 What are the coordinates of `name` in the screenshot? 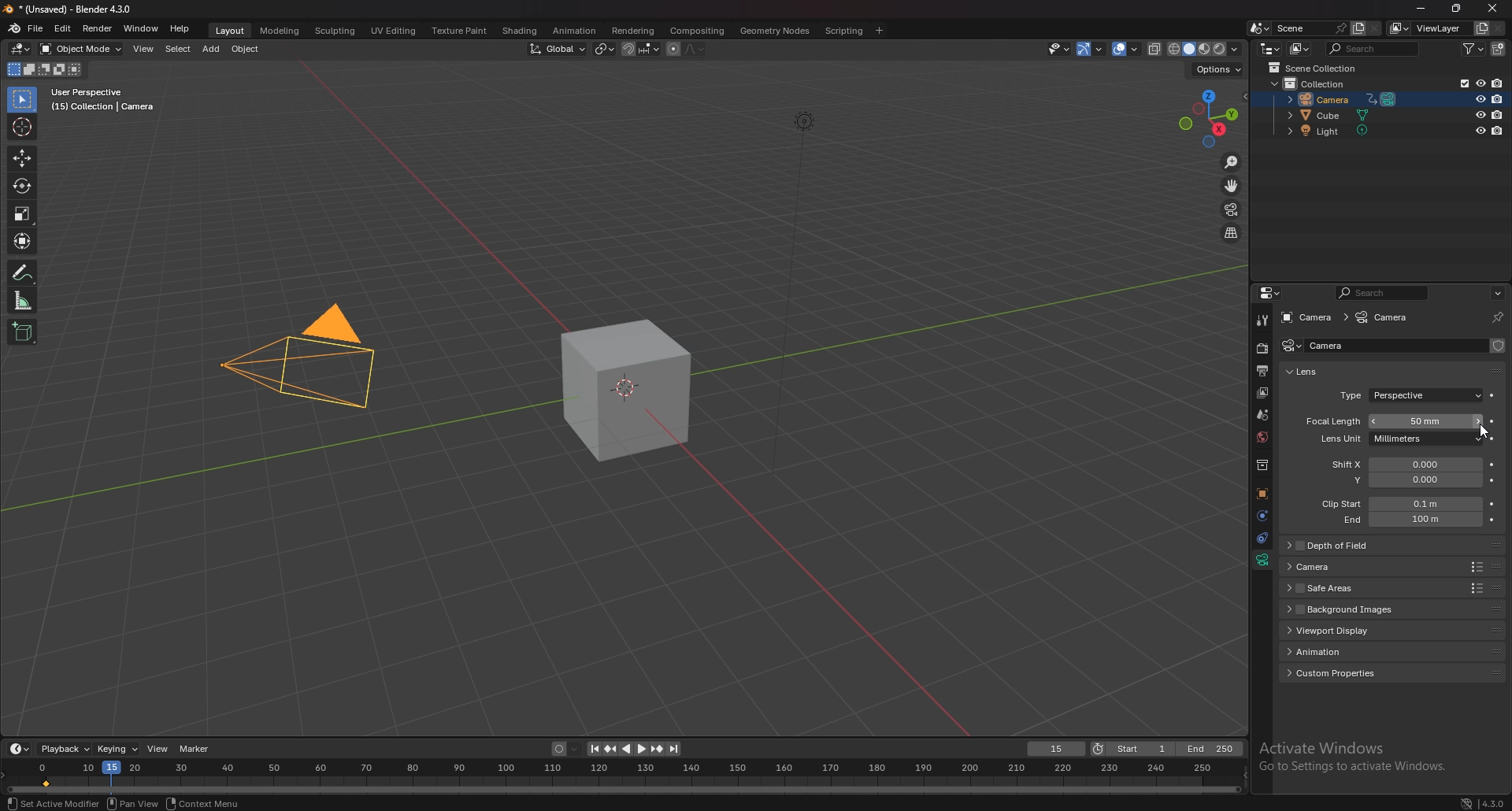 It's located at (1336, 346).